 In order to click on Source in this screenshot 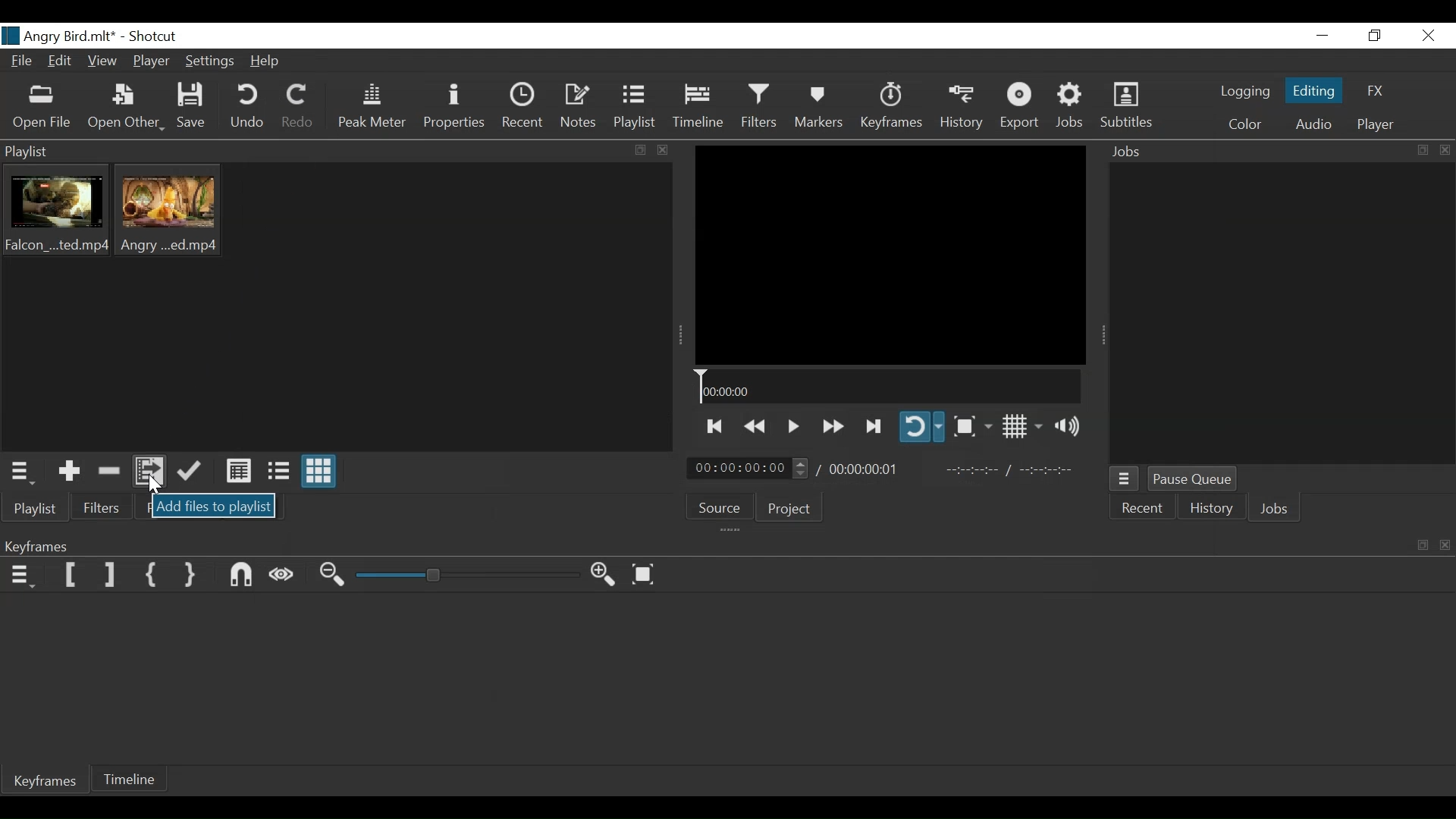, I will do `click(726, 507)`.